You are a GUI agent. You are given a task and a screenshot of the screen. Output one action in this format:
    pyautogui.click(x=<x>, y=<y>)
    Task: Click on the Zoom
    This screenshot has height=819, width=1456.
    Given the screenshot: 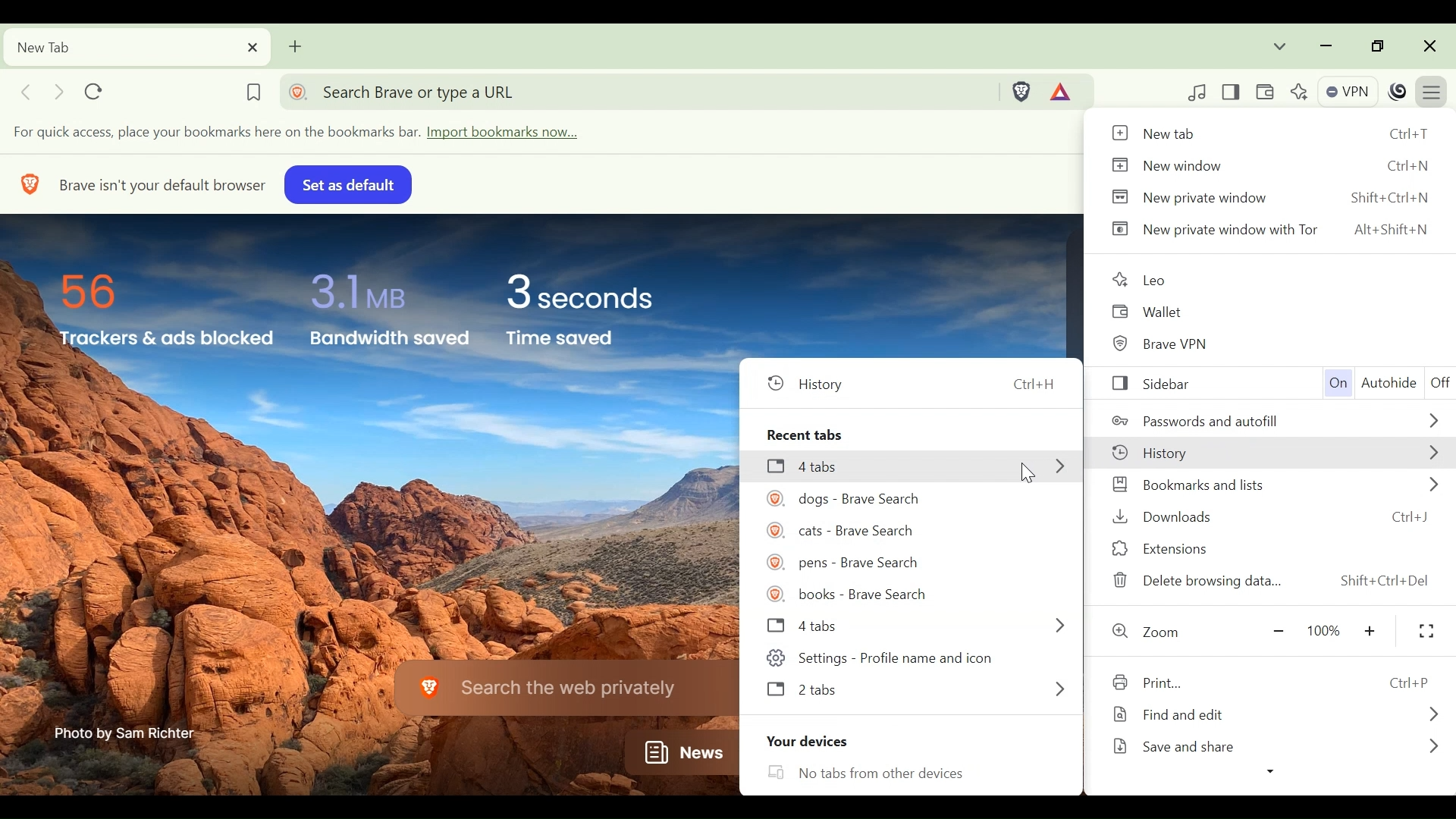 What is the action you would take?
    pyautogui.click(x=1155, y=633)
    